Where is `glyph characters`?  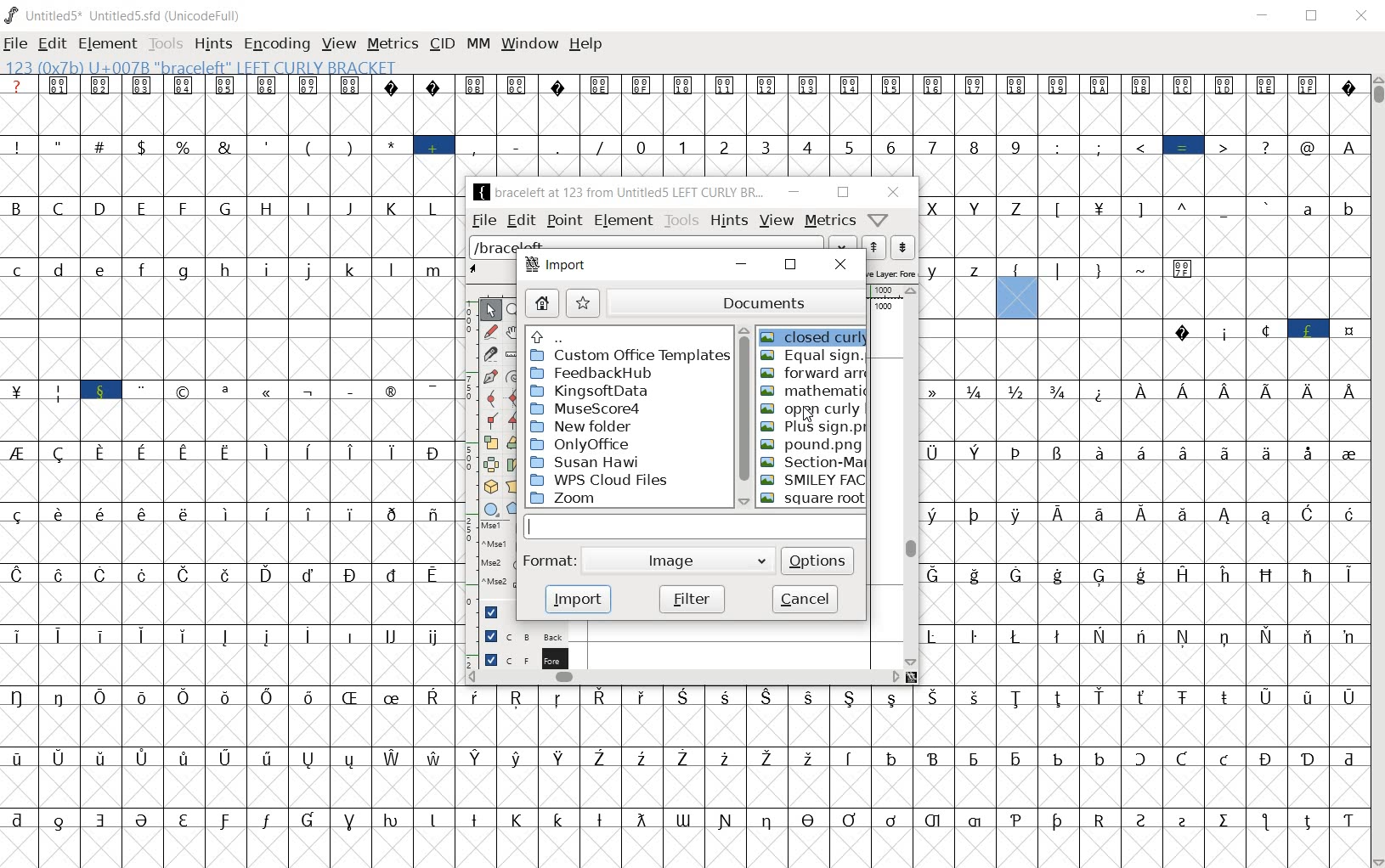 glyph characters is located at coordinates (911, 777).